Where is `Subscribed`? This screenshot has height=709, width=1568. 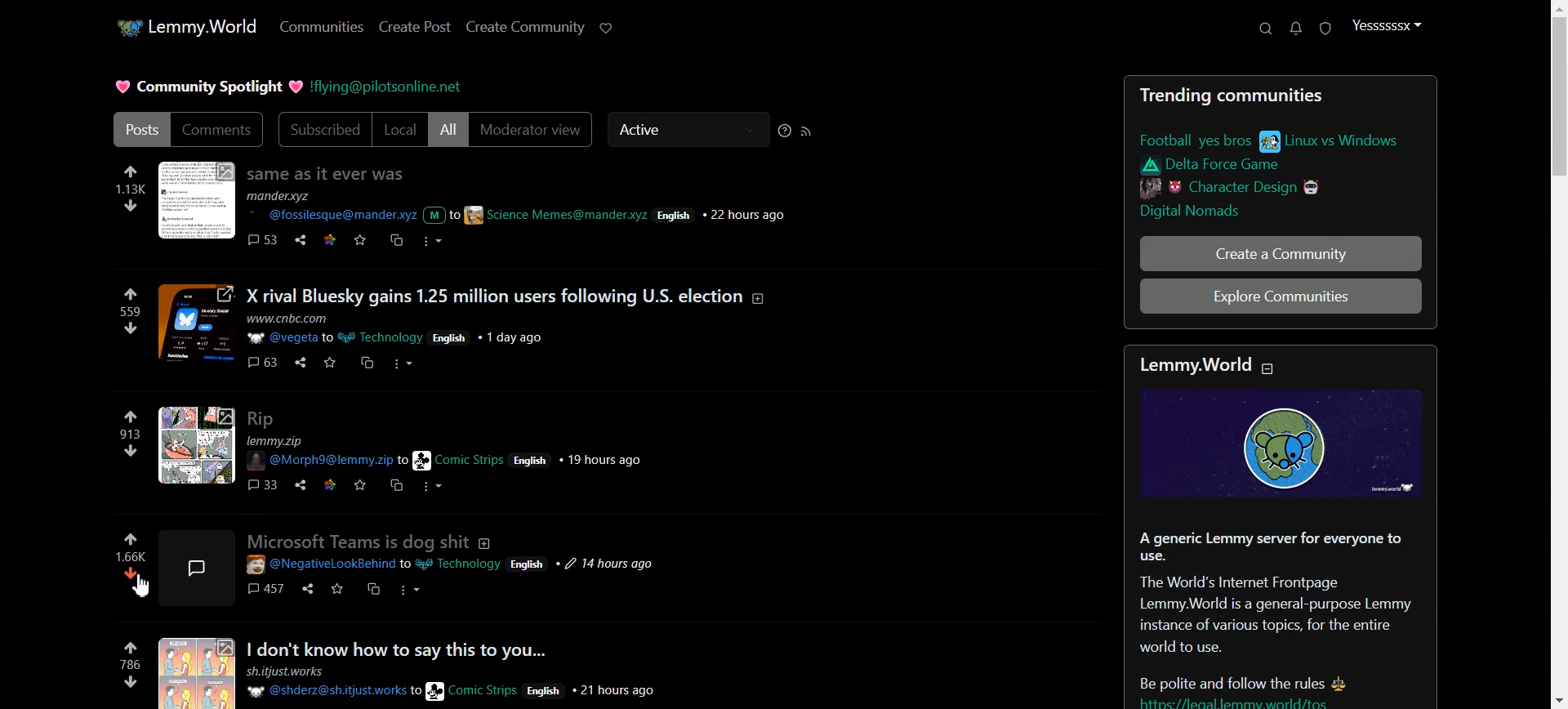
Subscribed is located at coordinates (323, 129).